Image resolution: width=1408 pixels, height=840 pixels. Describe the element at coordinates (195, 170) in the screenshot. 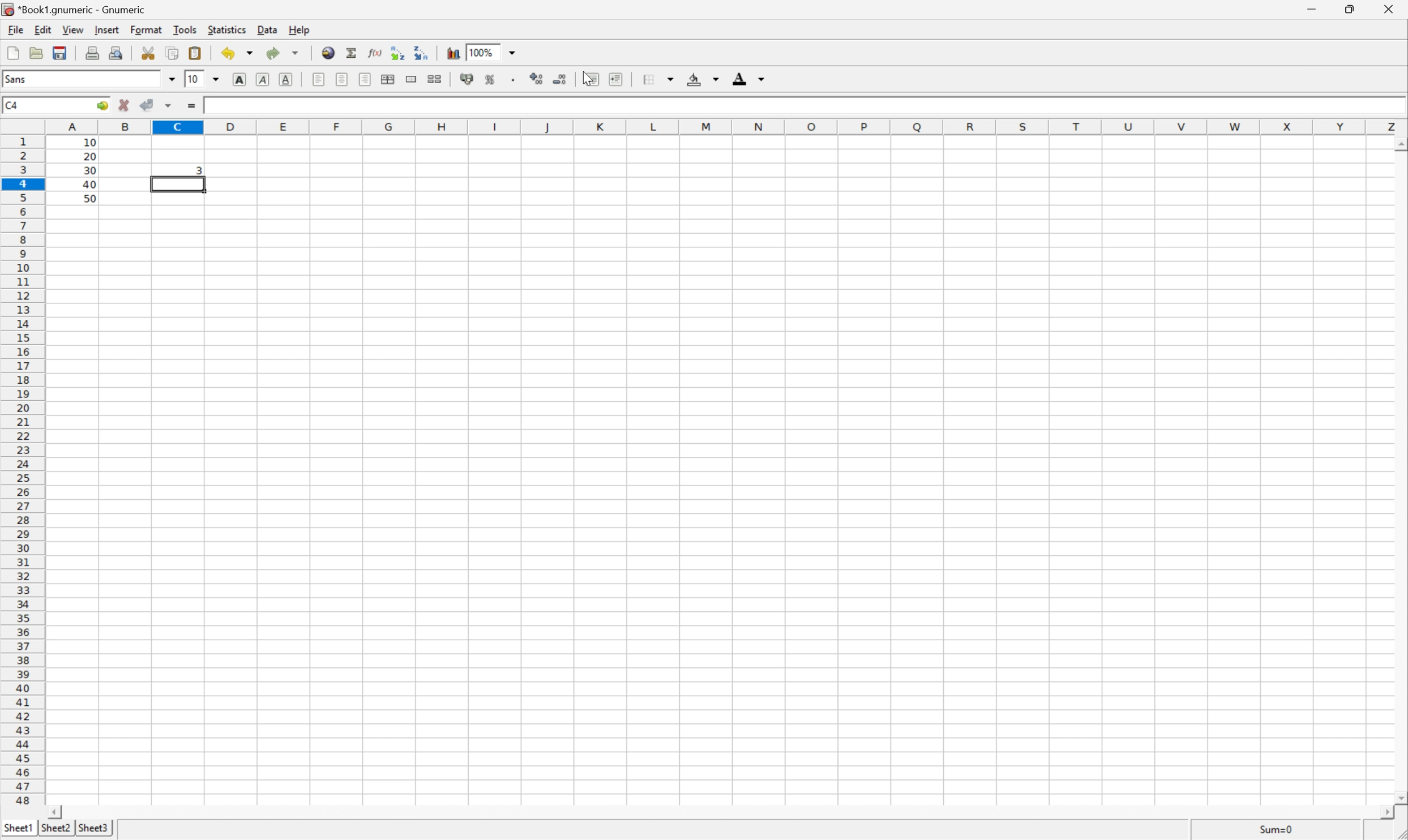

I see `3` at that location.